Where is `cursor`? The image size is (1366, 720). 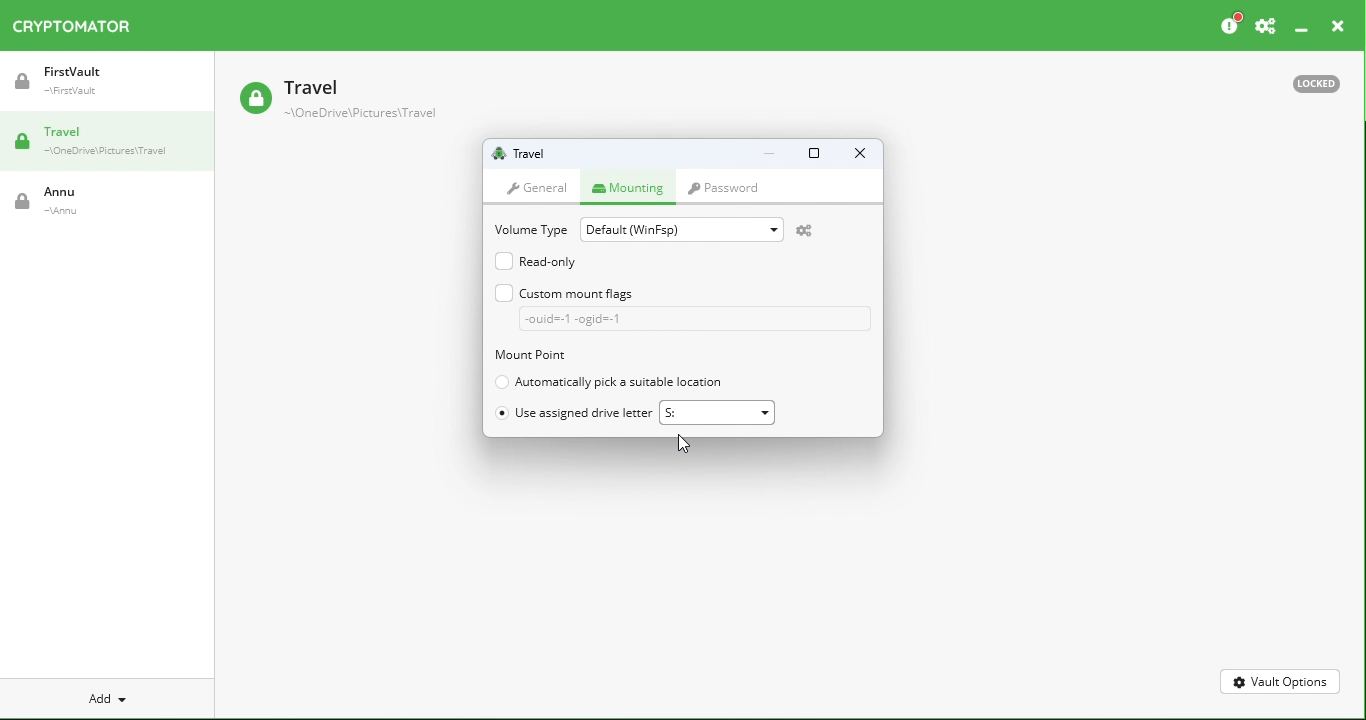 cursor is located at coordinates (687, 444).